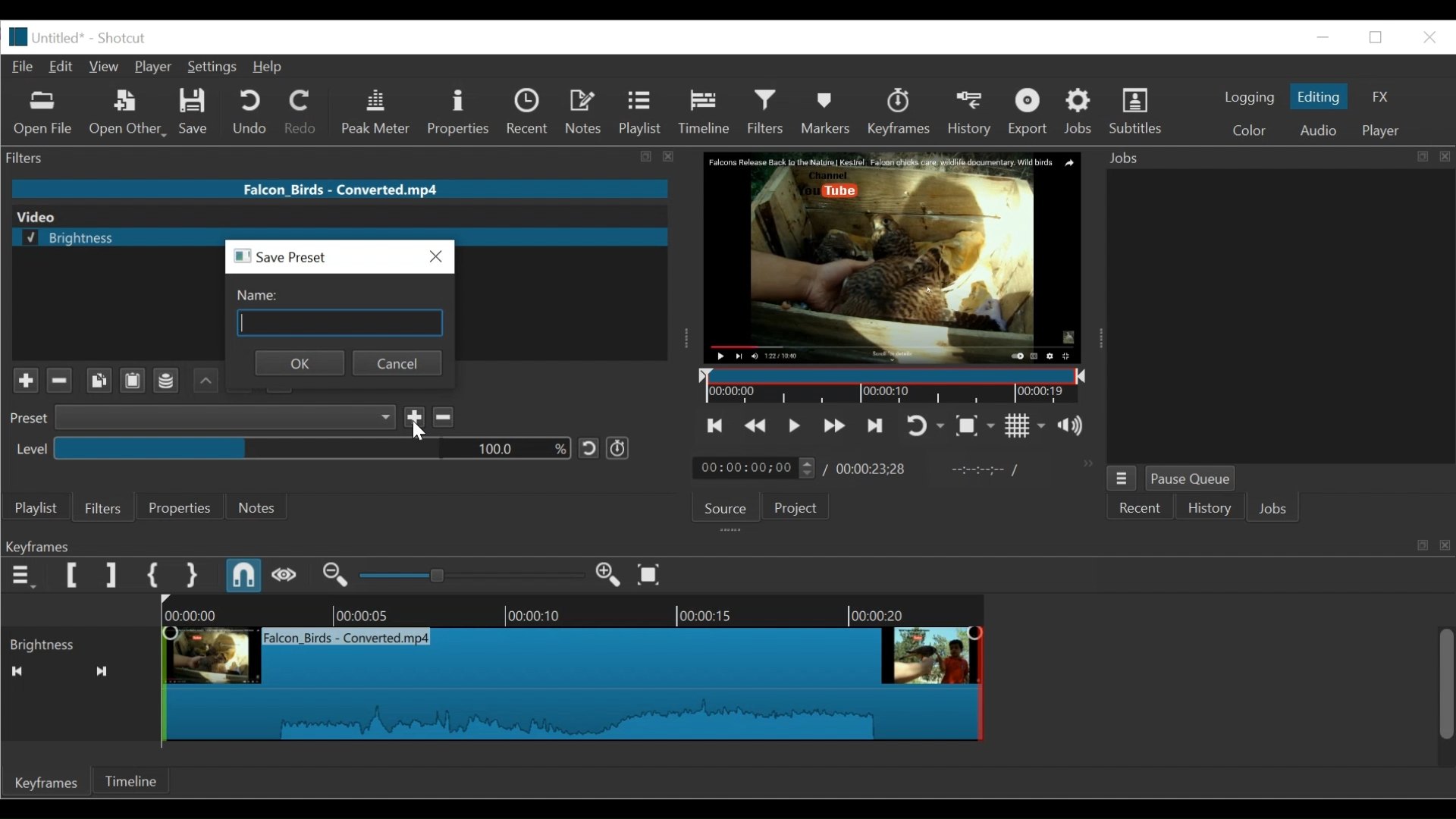 Image resolution: width=1456 pixels, height=819 pixels. Describe the element at coordinates (754, 425) in the screenshot. I see `Play backward quickly` at that location.